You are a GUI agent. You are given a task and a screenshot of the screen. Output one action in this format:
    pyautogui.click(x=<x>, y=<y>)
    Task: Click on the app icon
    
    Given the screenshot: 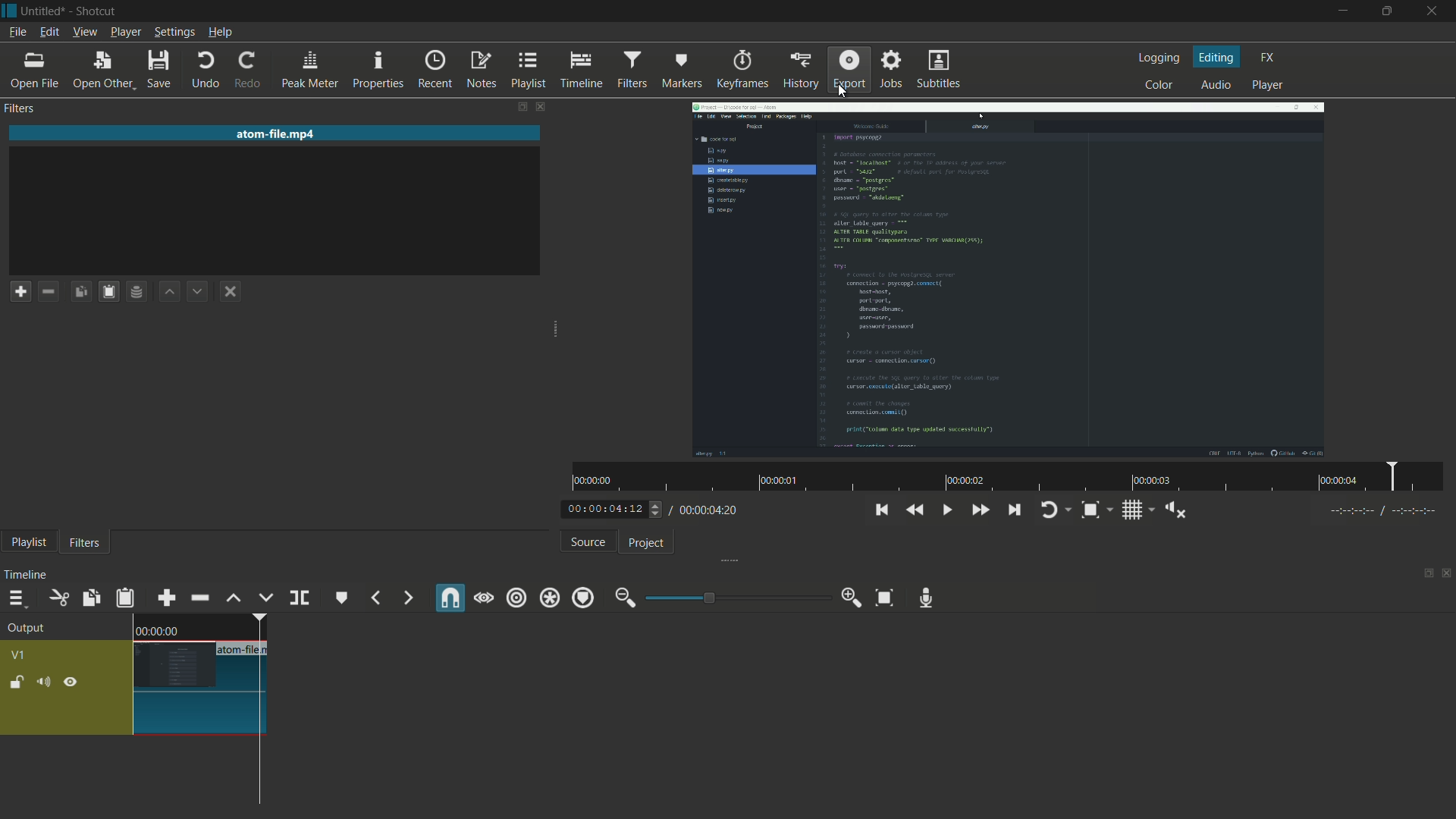 What is the action you would take?
    pyautogui.click(x=9, y=10)
    